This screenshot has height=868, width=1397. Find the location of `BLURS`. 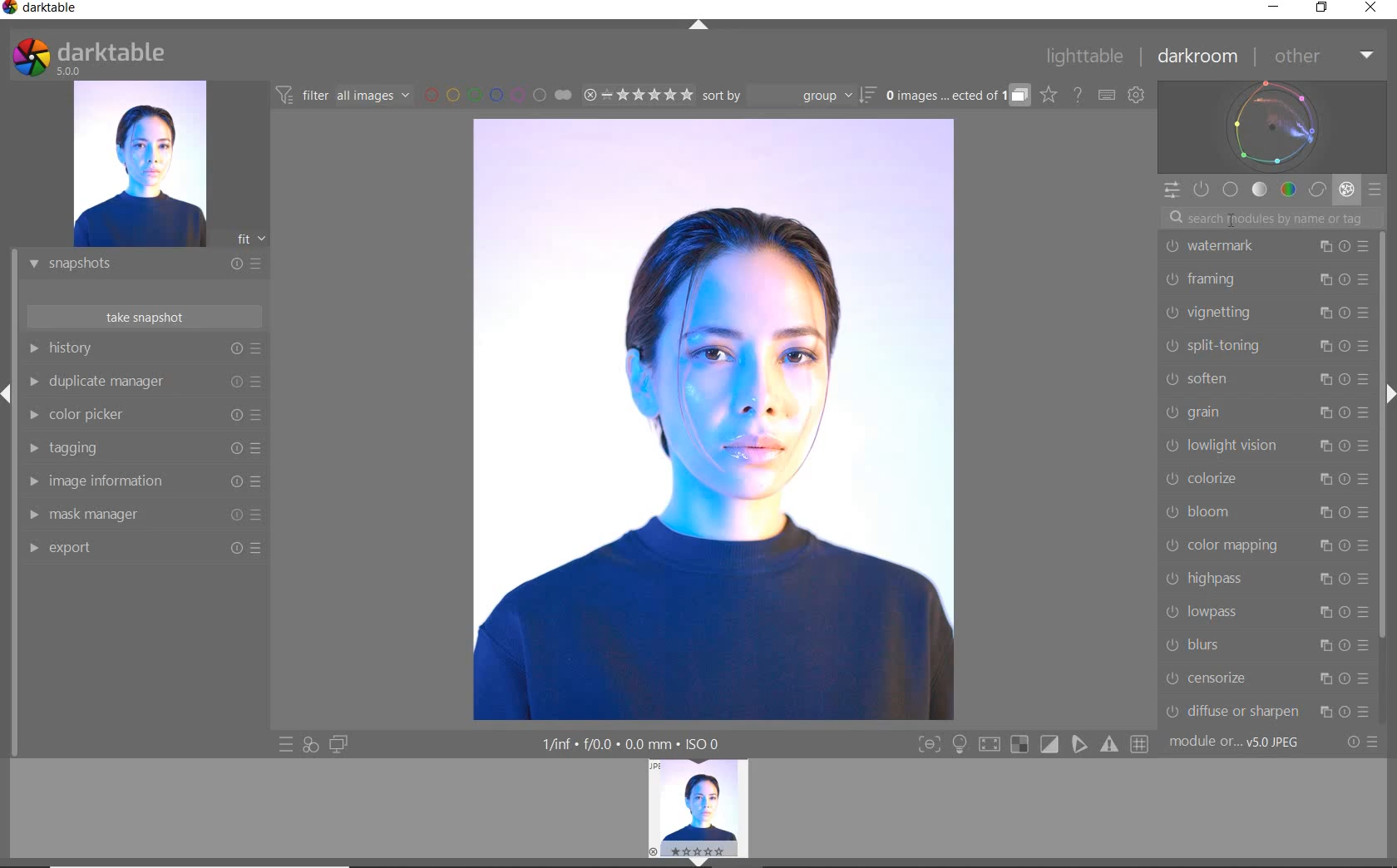

BLURS is located at coordinates (1266, 645).